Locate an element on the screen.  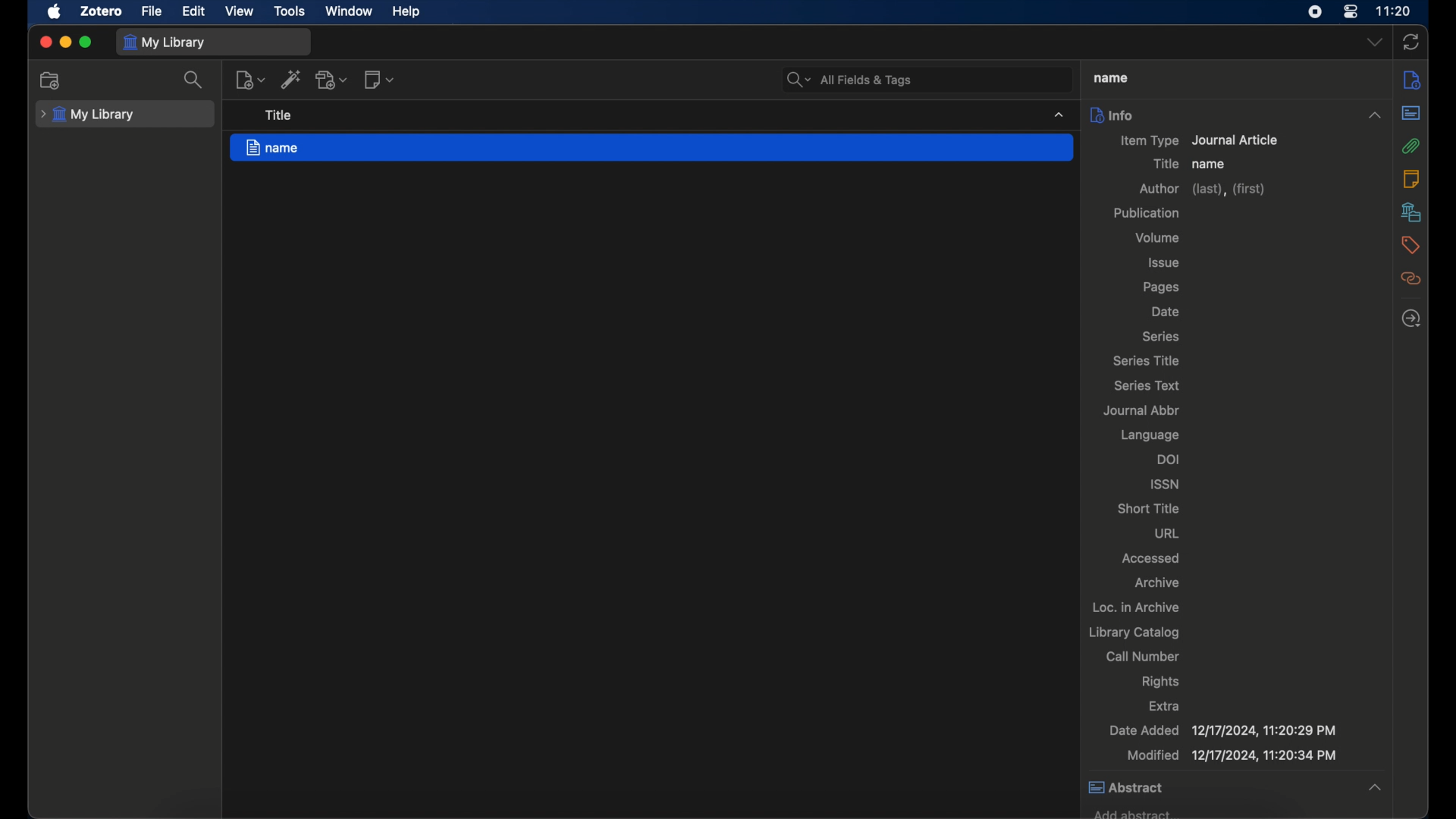
maximize is located at coordinates (86, 42).